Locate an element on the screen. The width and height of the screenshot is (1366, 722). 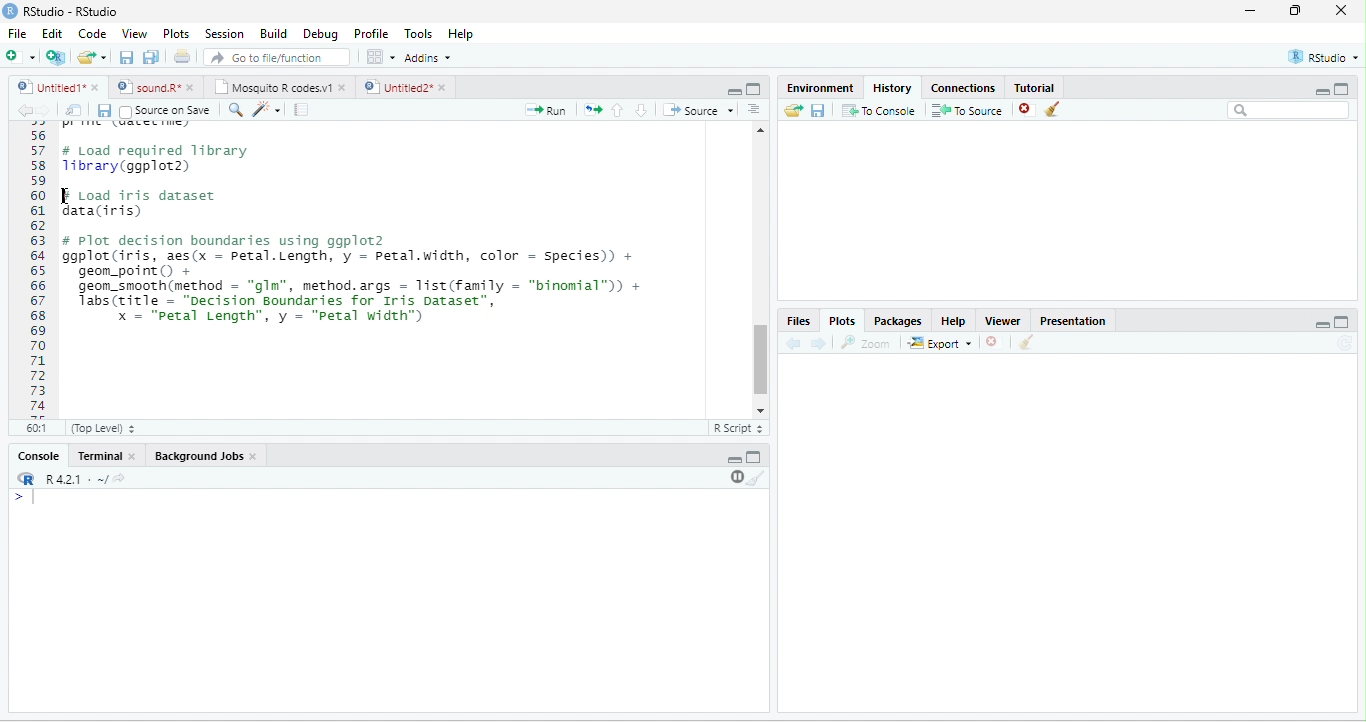
To source is located at coordinates (965, 111).